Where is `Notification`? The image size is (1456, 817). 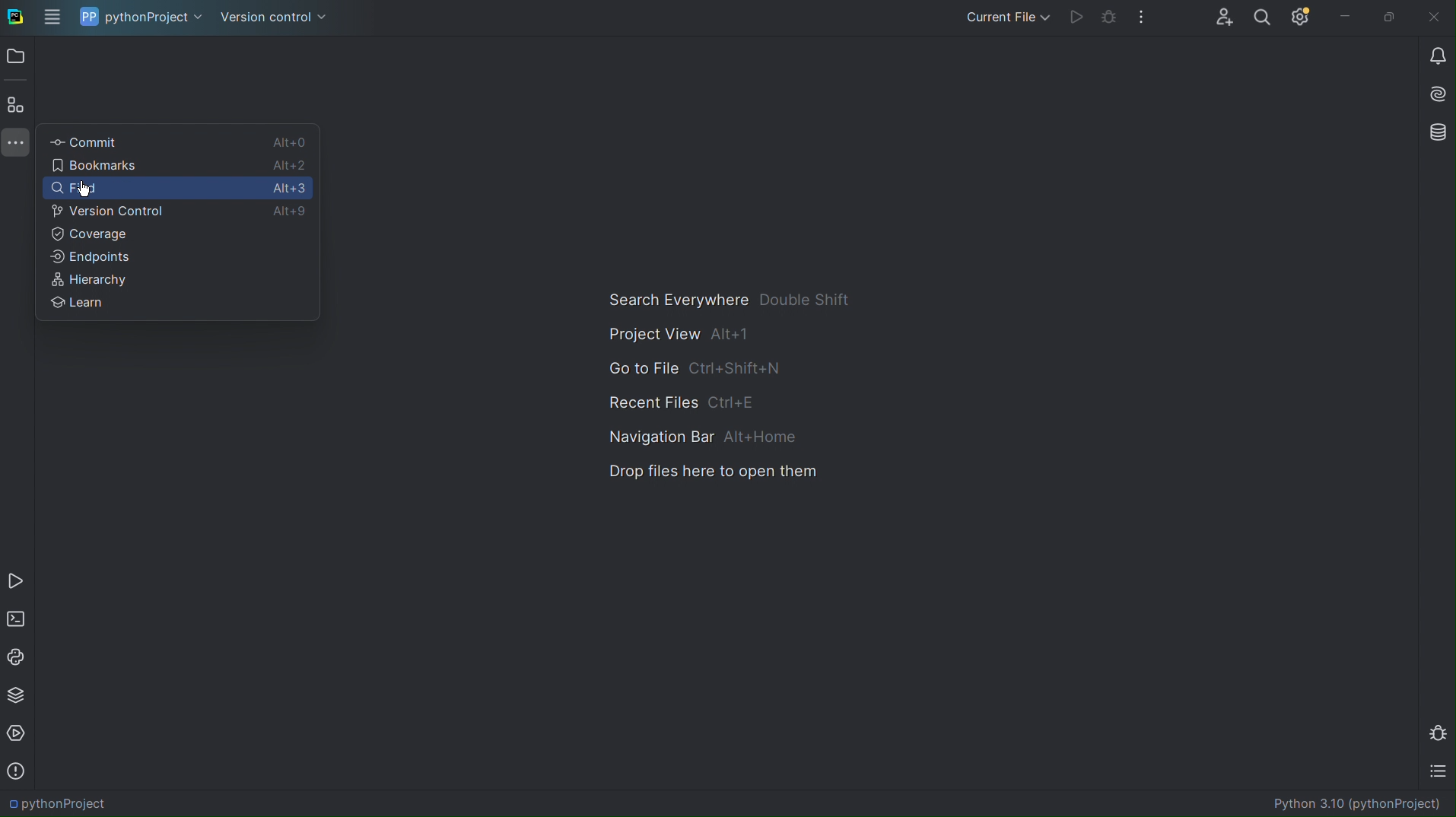 Notification is located at coordinates (1434, 56).